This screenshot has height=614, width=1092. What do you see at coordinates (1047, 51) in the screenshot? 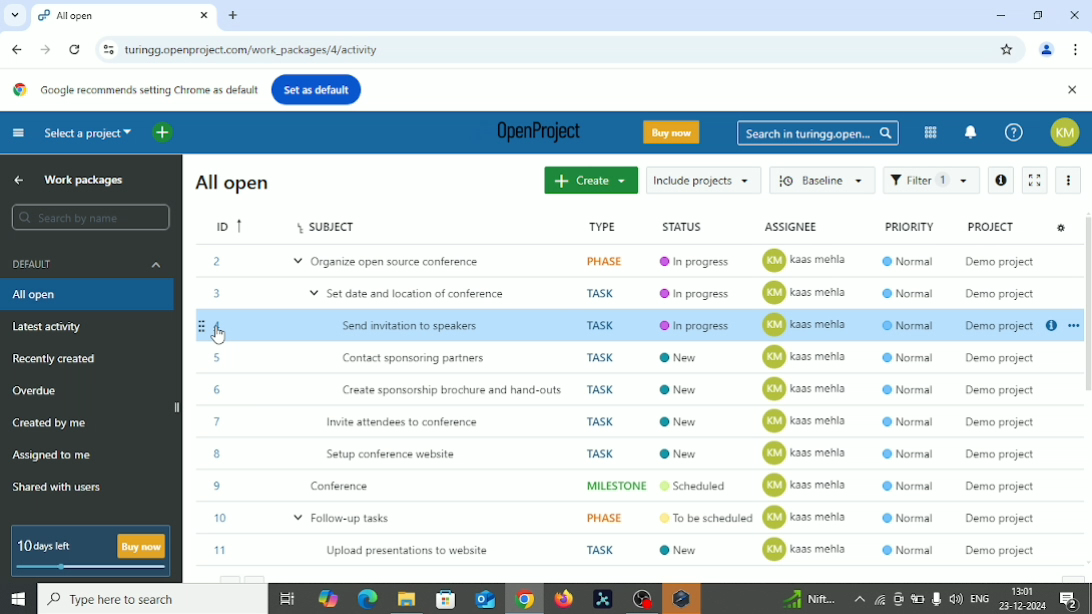
I see `Account` at bounding box center [1047, 51].